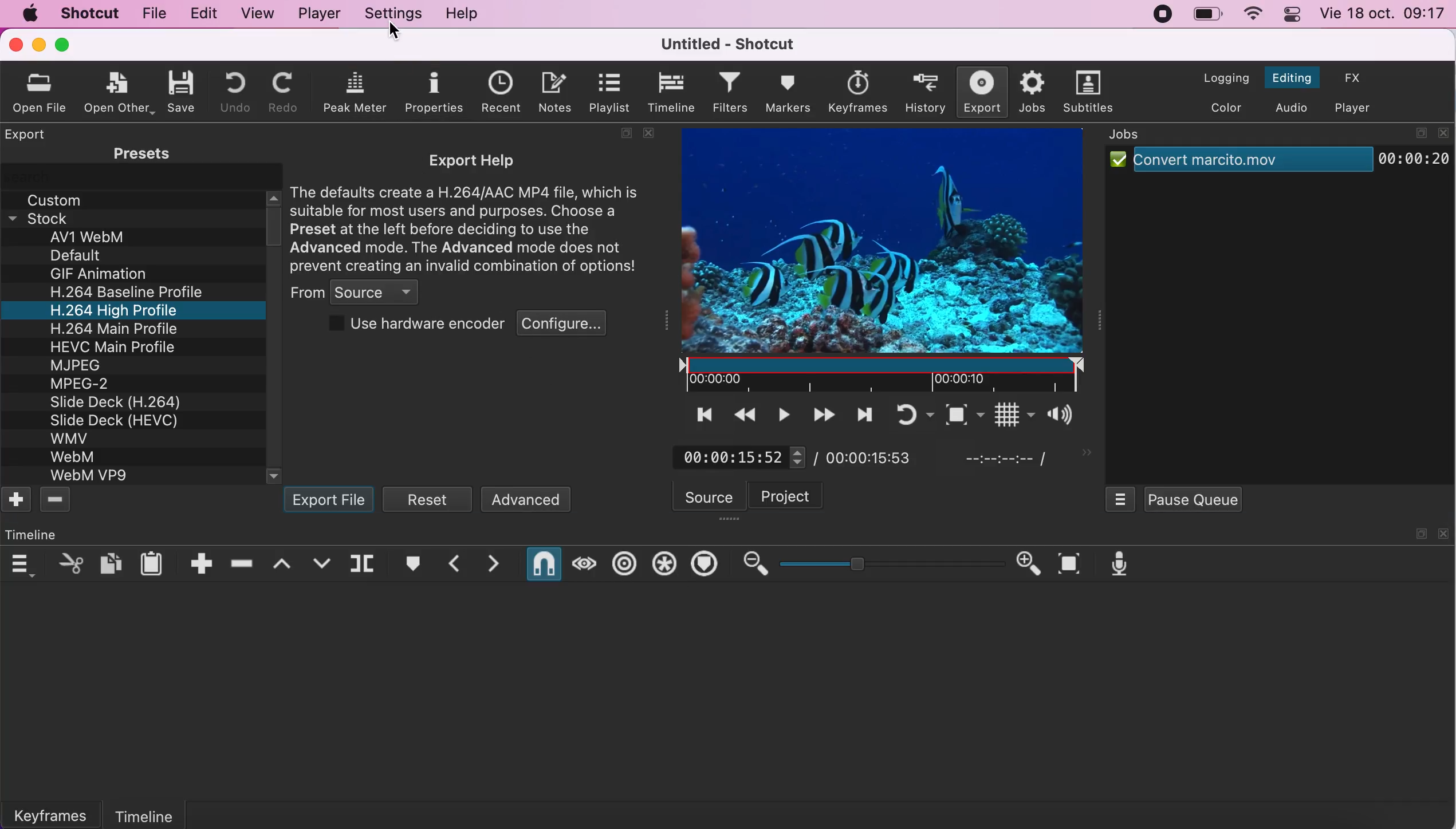 Image resolution: width=1456 pixels, height=829 pixels. I want to click on notes, so click(553, 93).